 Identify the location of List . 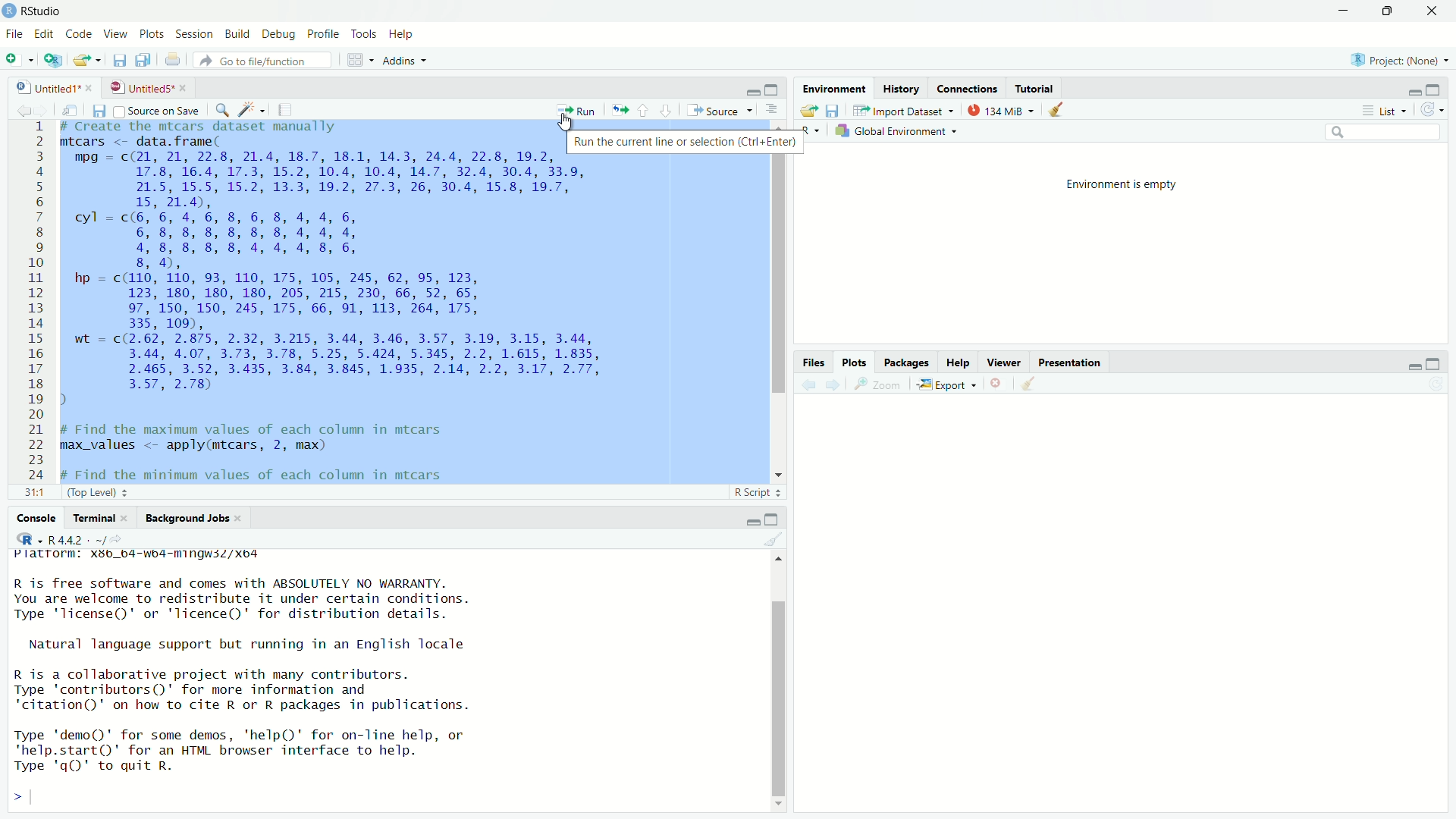
(1383, 109).